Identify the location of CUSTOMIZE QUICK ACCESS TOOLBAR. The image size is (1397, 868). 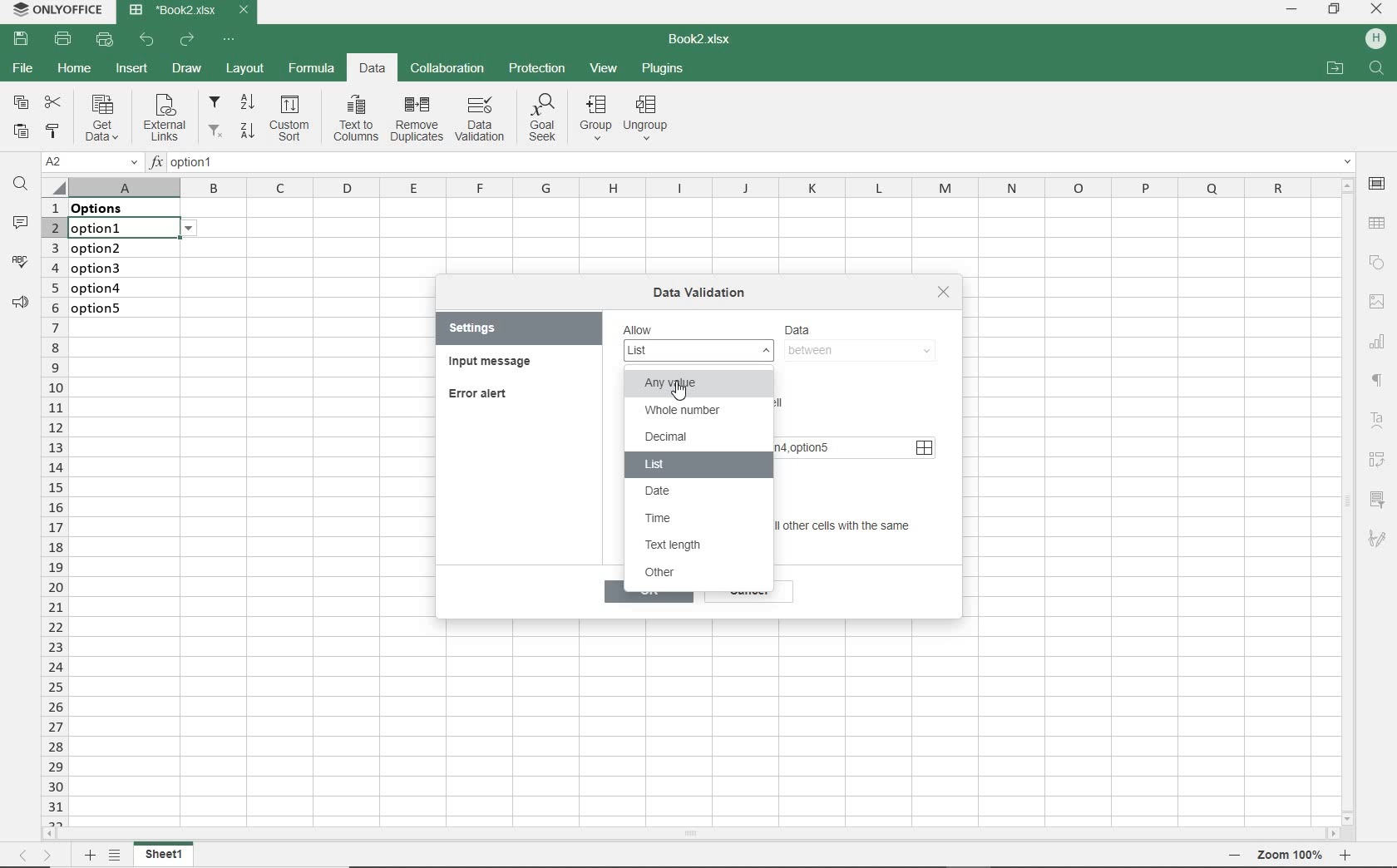
(230, 40).